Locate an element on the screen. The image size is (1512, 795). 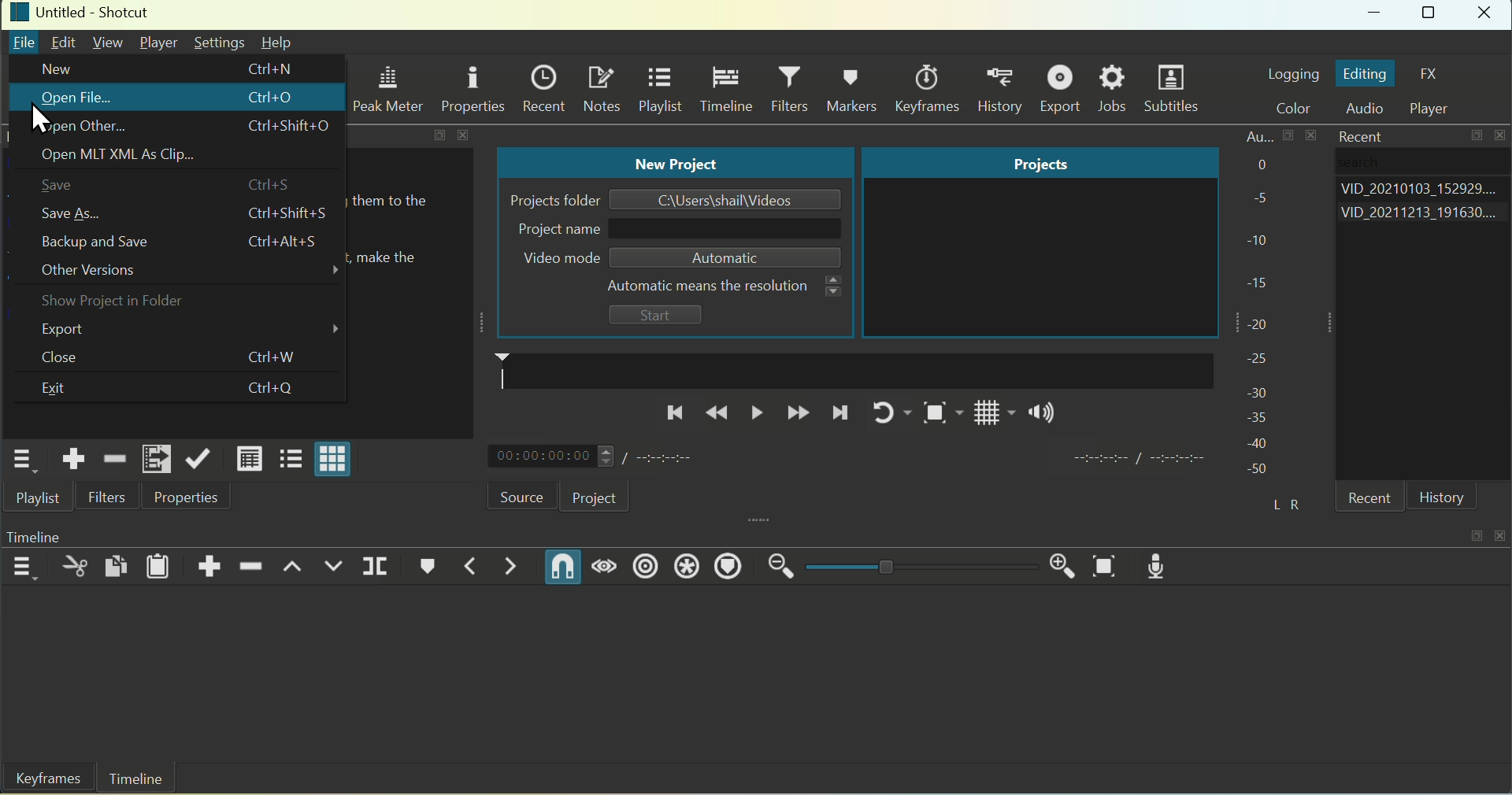
Logging is located at coordinates (1292, 72).